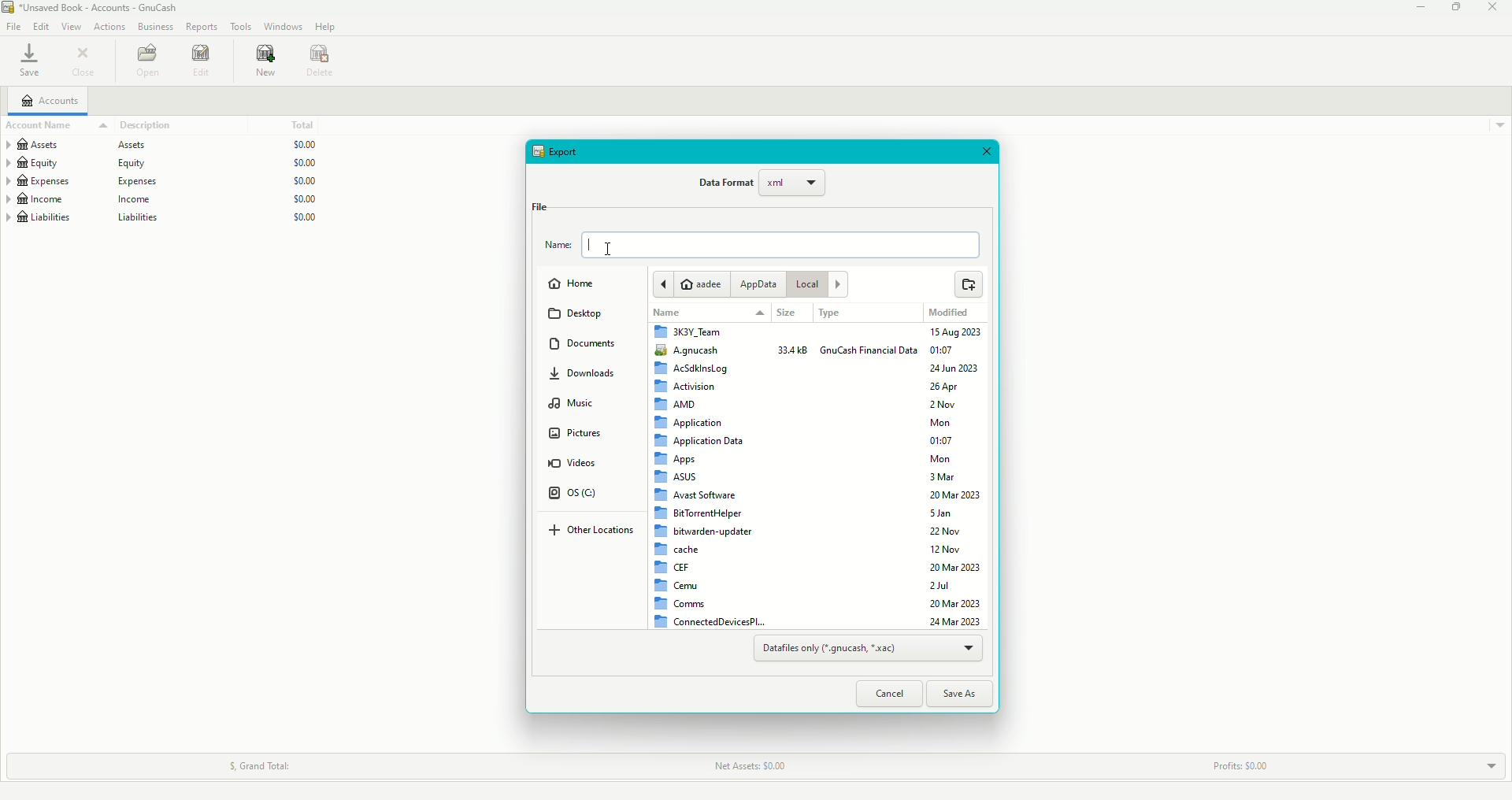  What do you see at coordinates (306, 122) in the screenshot?
I see `Total` at bounding box center [306, 122].